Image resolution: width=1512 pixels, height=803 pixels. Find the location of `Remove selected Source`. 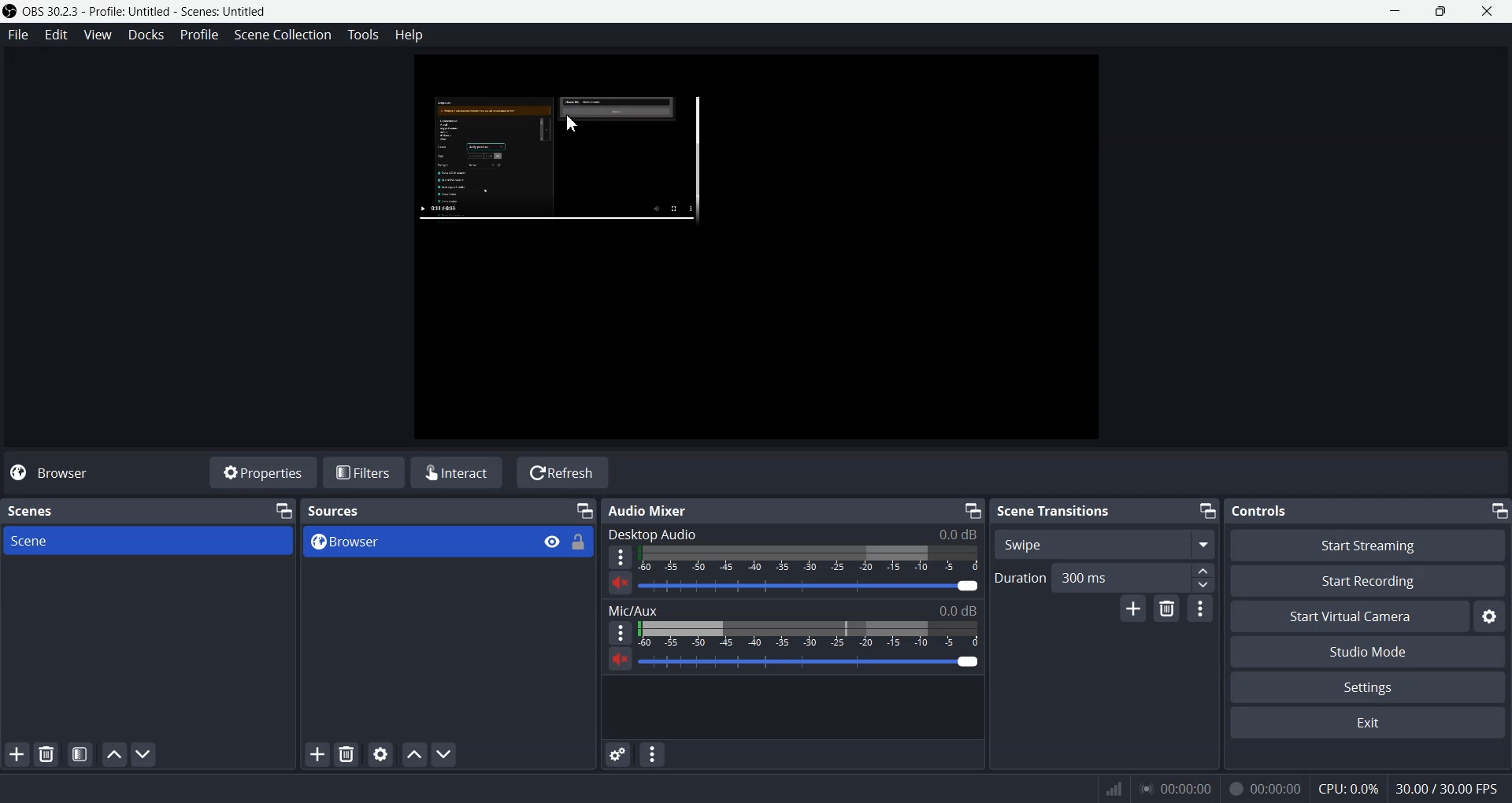

Remove selected Source is located at coordinates (346, 754).